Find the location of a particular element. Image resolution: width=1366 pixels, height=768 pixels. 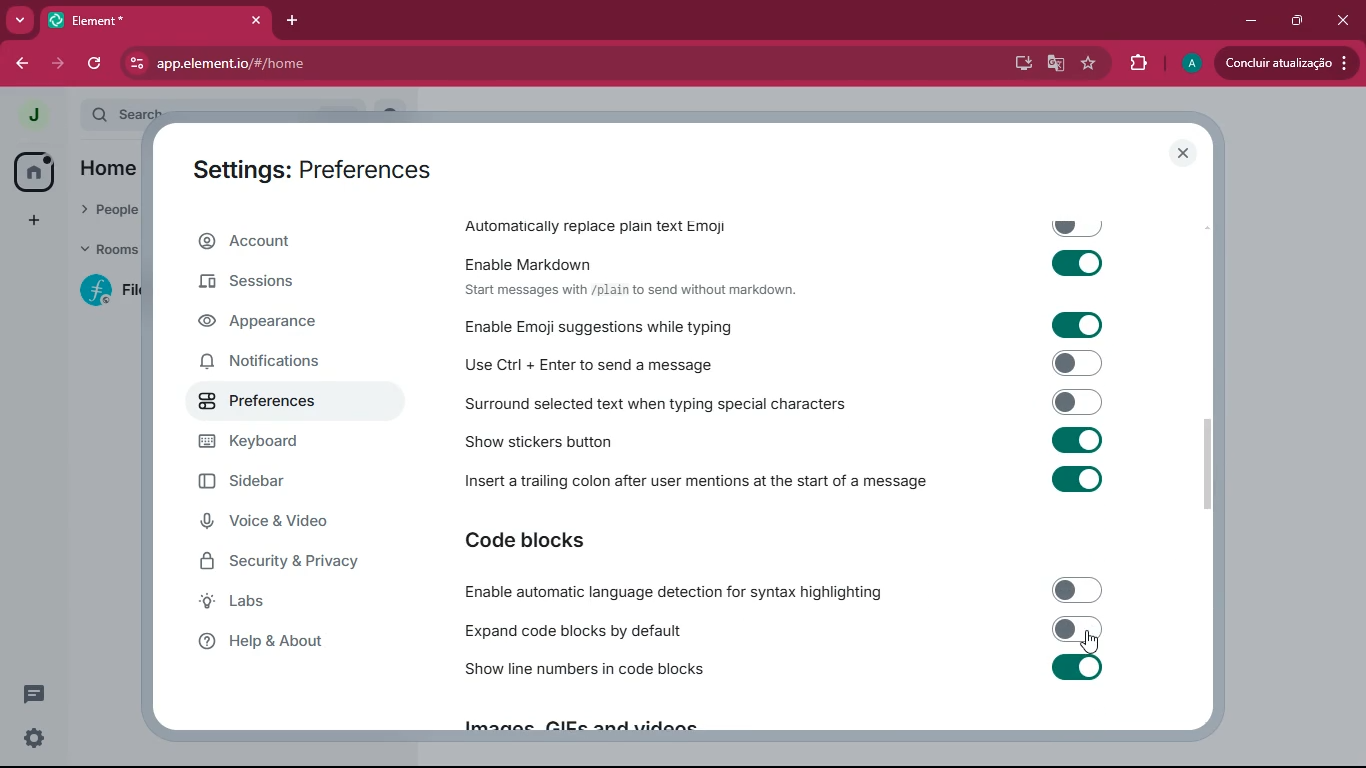

settings is located at coordinates (35, 739).